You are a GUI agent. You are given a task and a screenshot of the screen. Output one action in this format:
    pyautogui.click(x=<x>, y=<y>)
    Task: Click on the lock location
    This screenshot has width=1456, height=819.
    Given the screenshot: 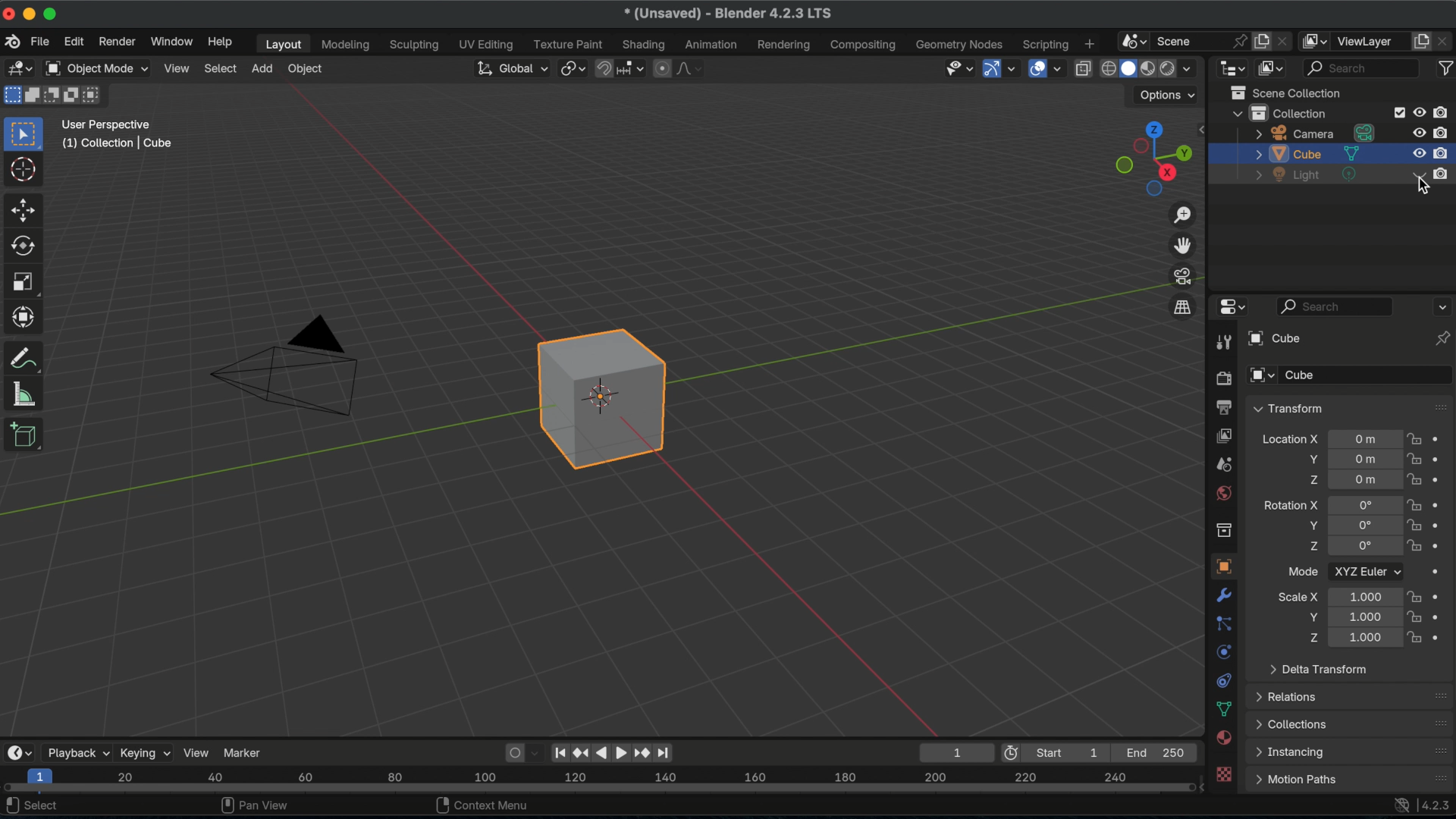 What is the action you would take?
    pyautogui.click(x=1416, y=438)
    